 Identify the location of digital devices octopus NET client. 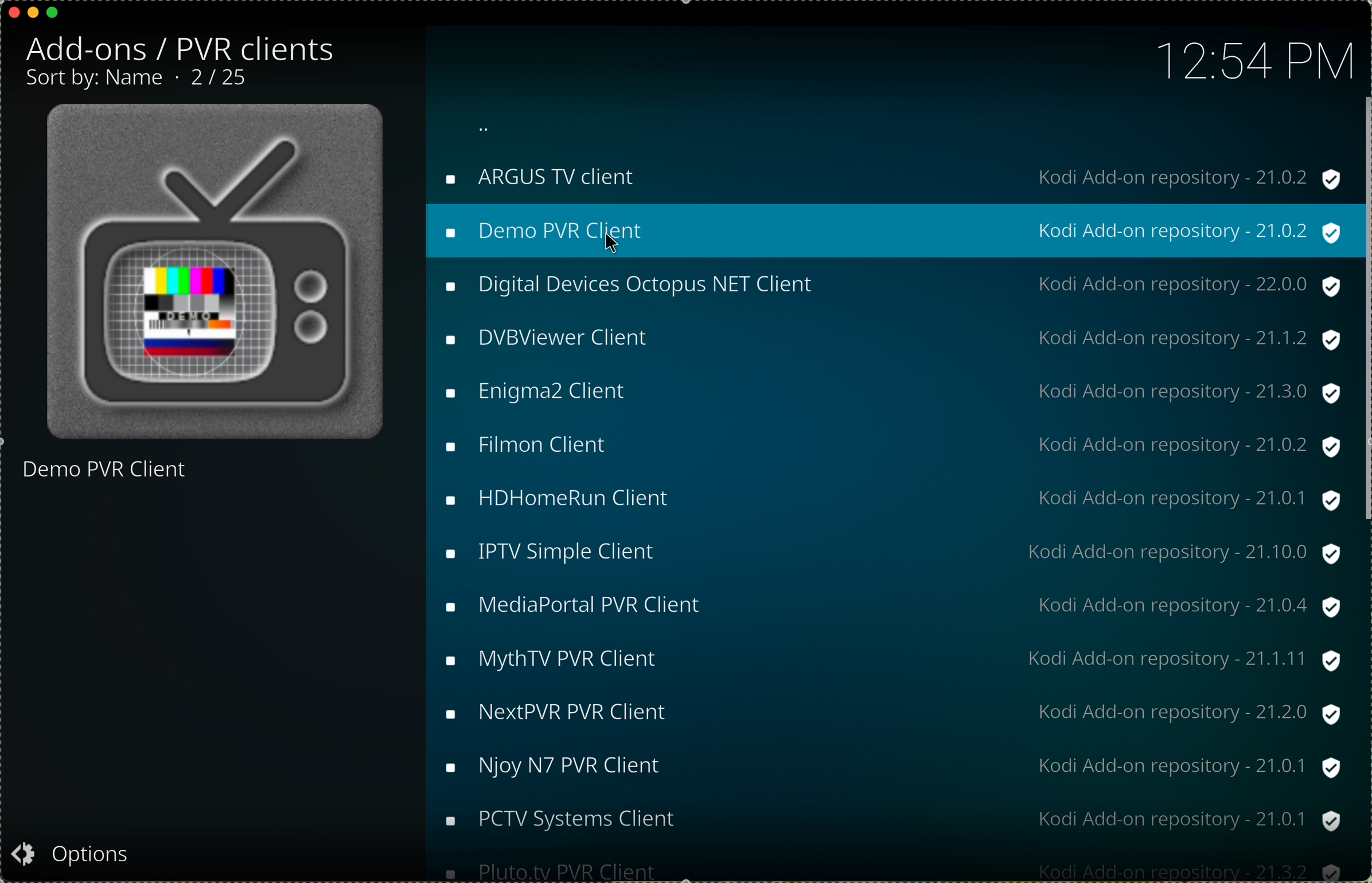
(646, 284).